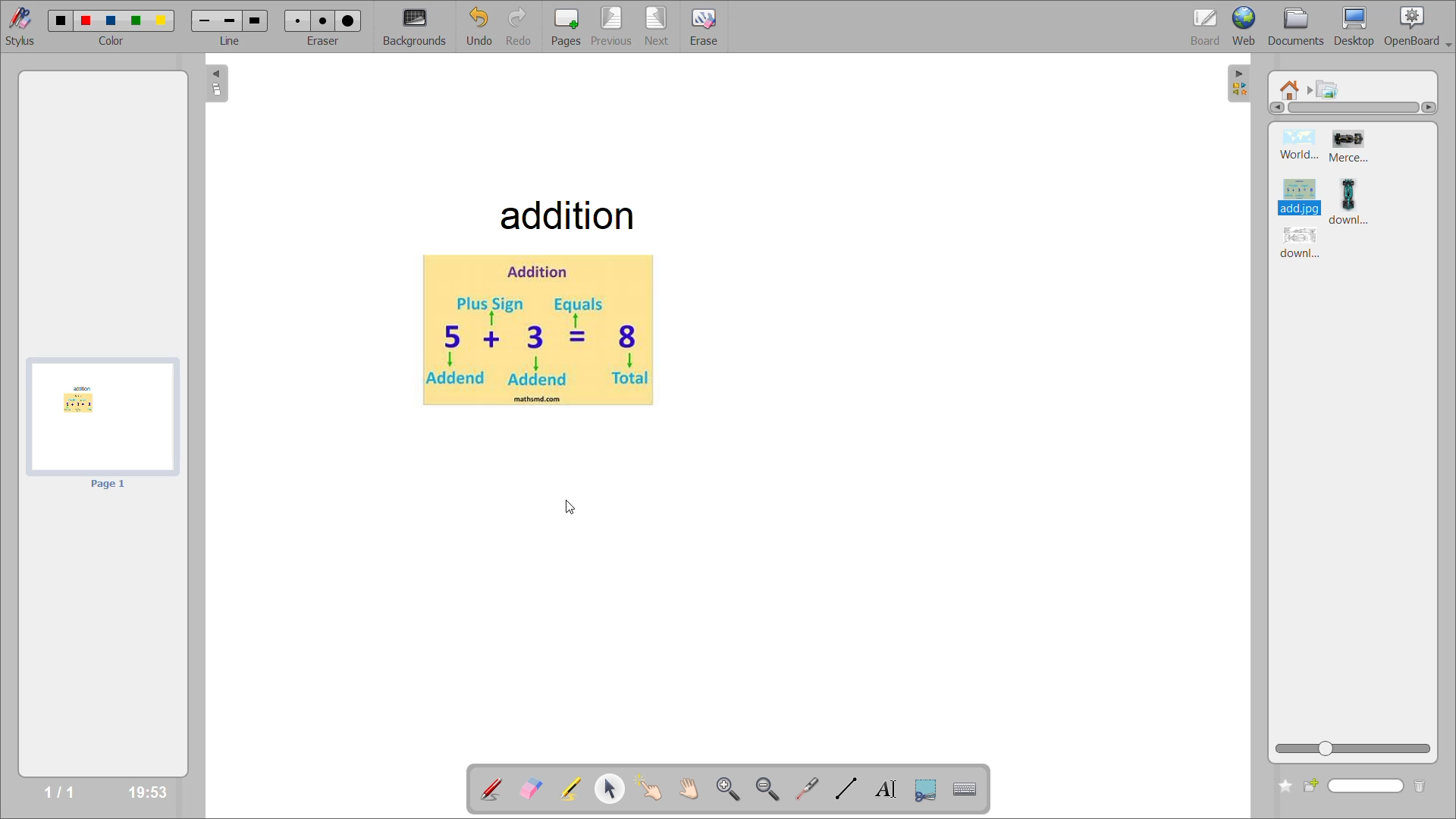 This screenshot has height=819, width=1456. What do you see at coordinates (319, 20) in the screenshot?
I see `eraser 2` at bounding box center [319, 20].